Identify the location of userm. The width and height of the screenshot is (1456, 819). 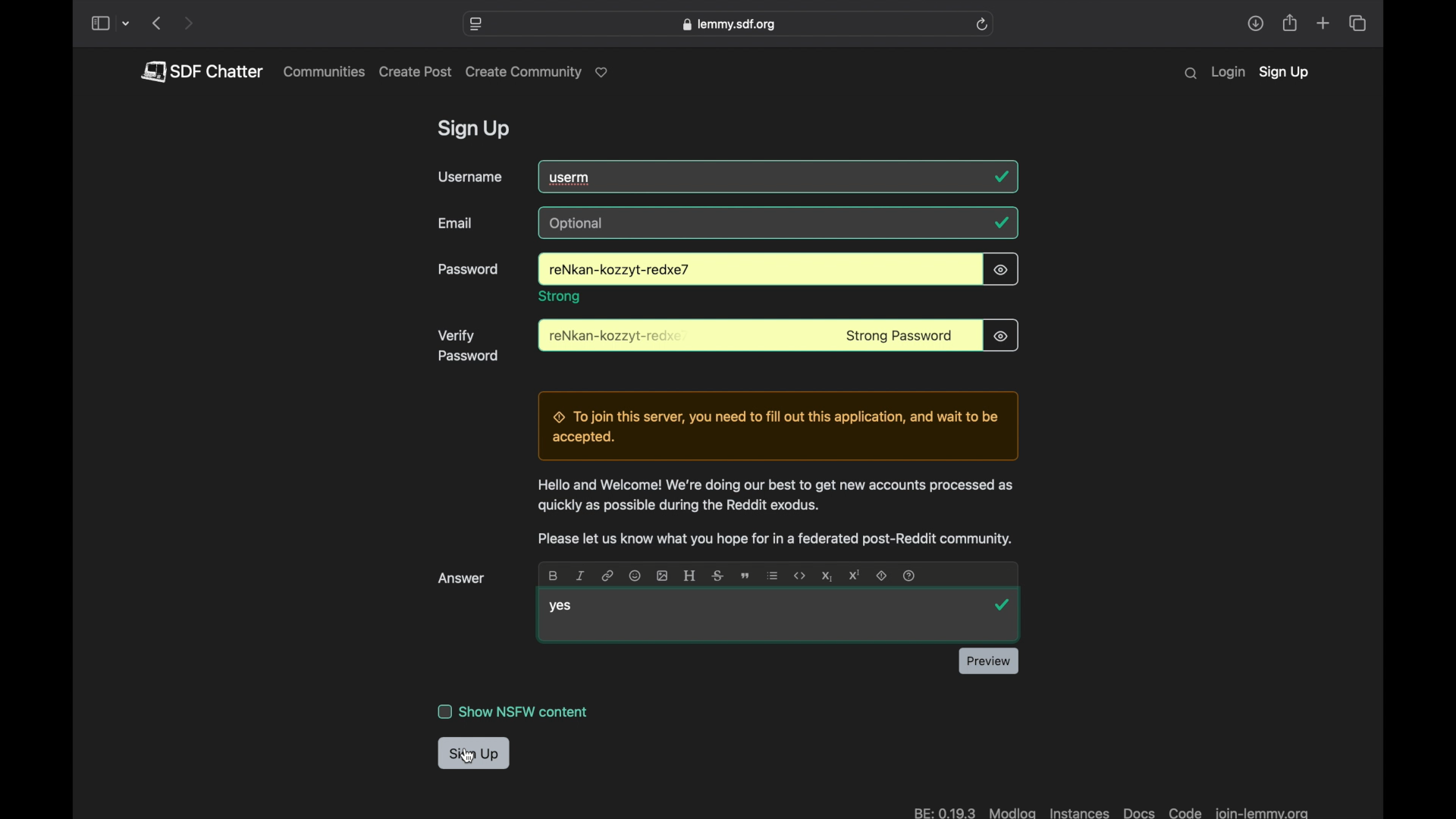
(572, 177).